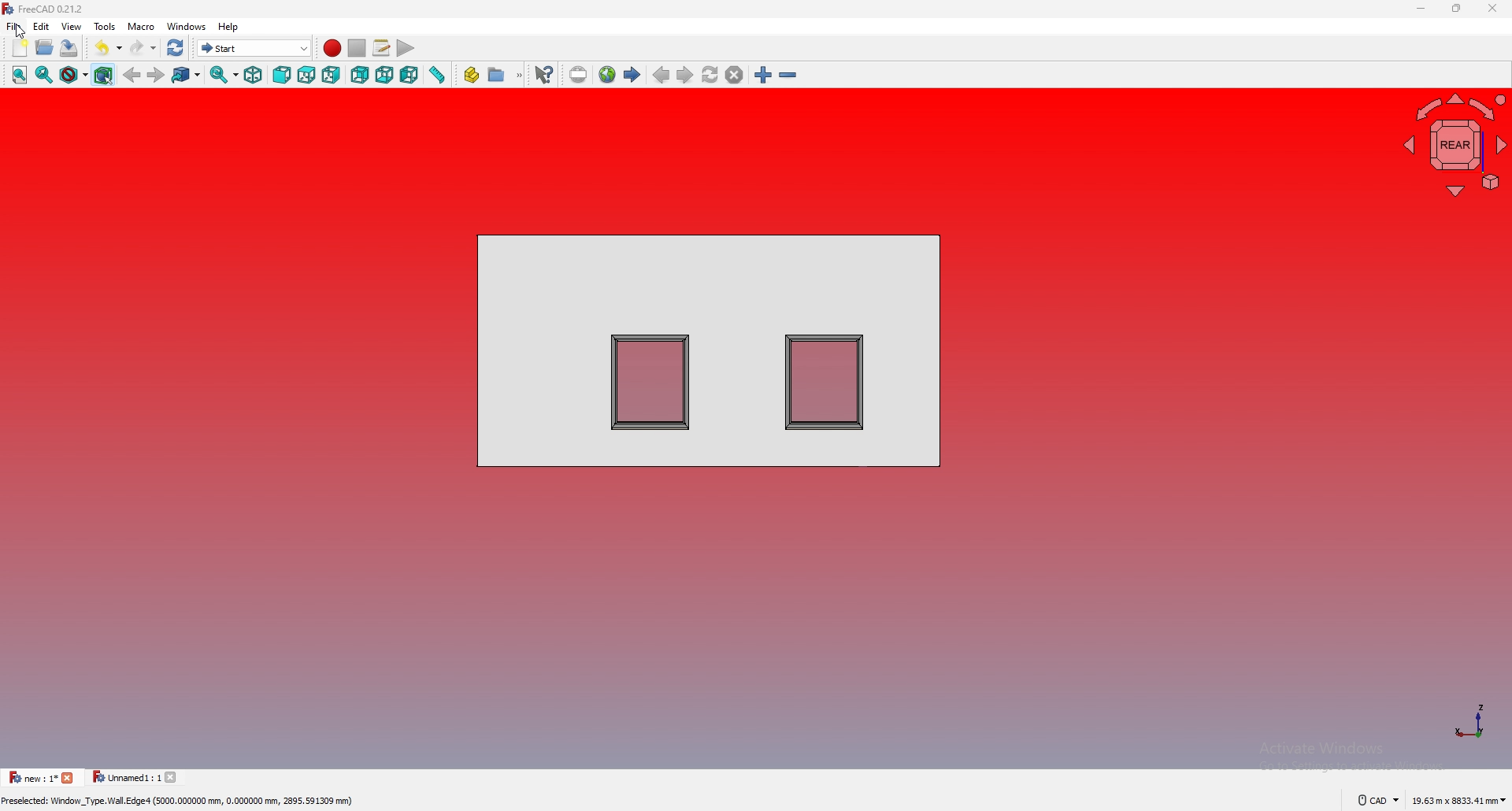 Image resolution: width=1512 pixels, height=811 pixels. Describe the element at coordinates (42, 26) in the screenshot. I see `edit` at that location.